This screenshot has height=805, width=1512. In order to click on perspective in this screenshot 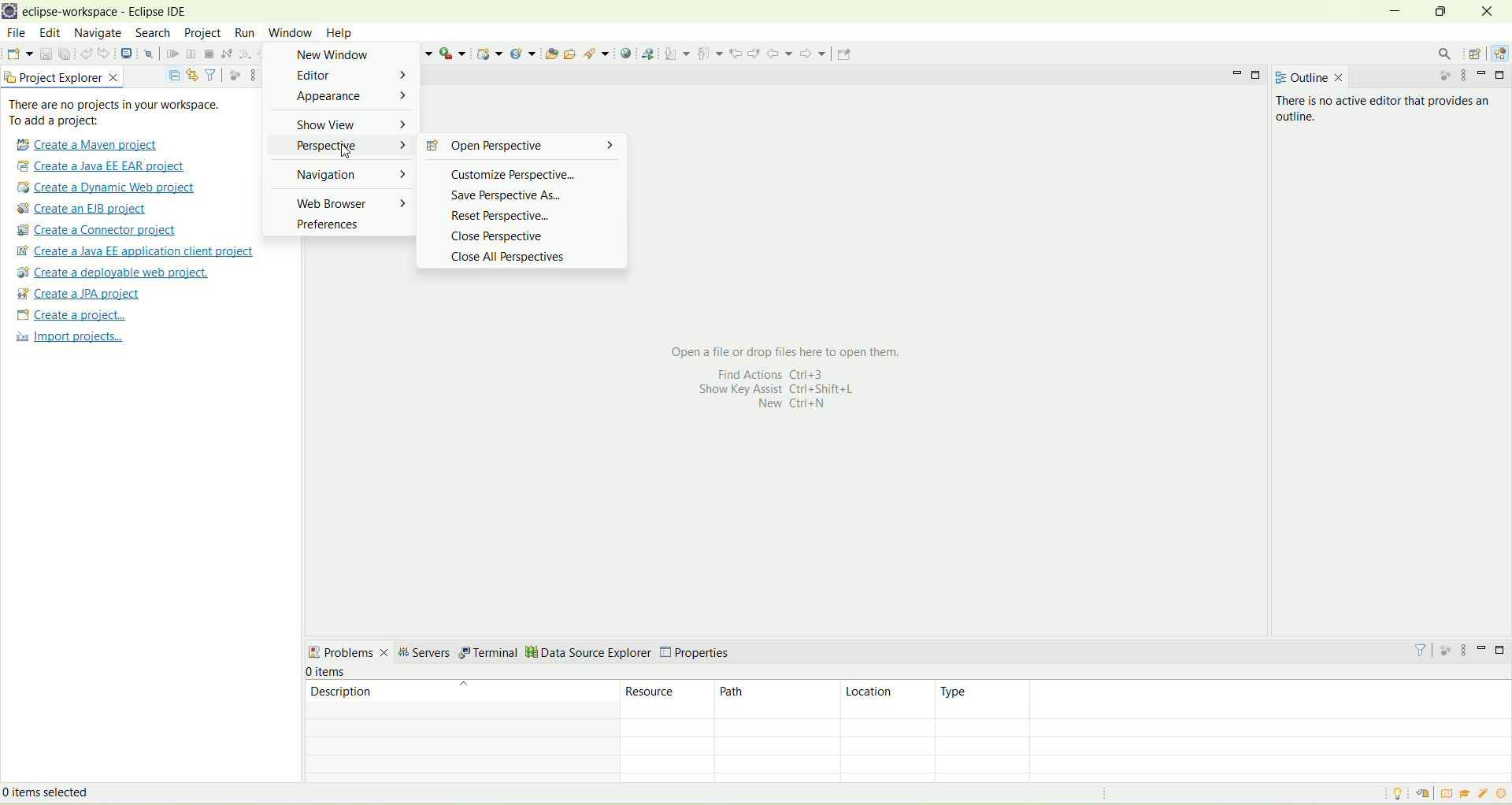, I will do `click(343, 146)`.